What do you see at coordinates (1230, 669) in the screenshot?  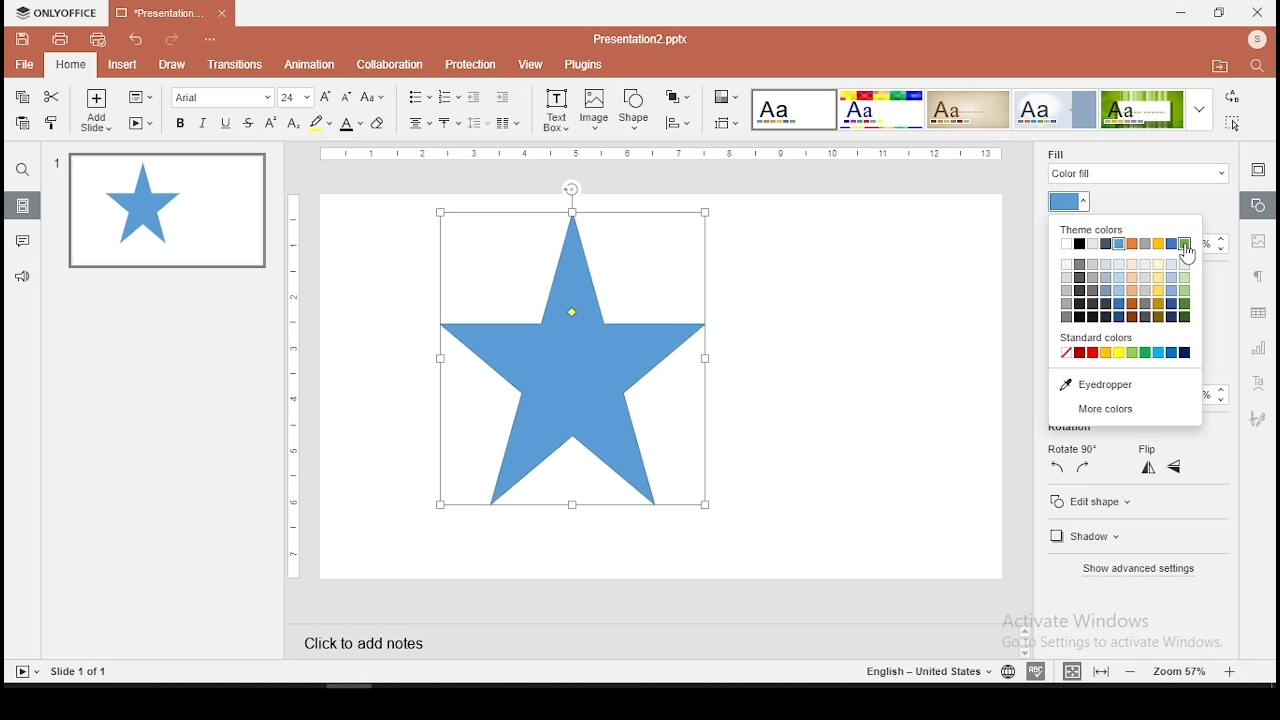 I see `zoom in` at bounding box center [1230, 669].